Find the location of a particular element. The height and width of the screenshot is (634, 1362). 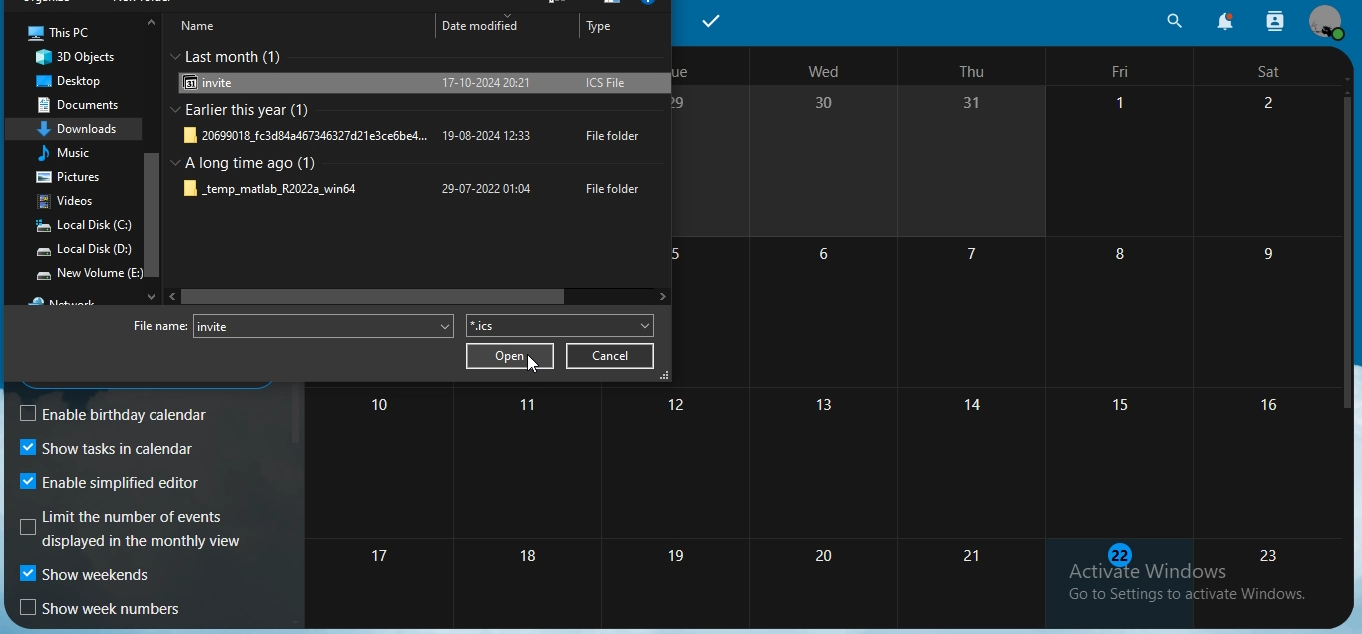

this pc is located at coordinates (56, 31).